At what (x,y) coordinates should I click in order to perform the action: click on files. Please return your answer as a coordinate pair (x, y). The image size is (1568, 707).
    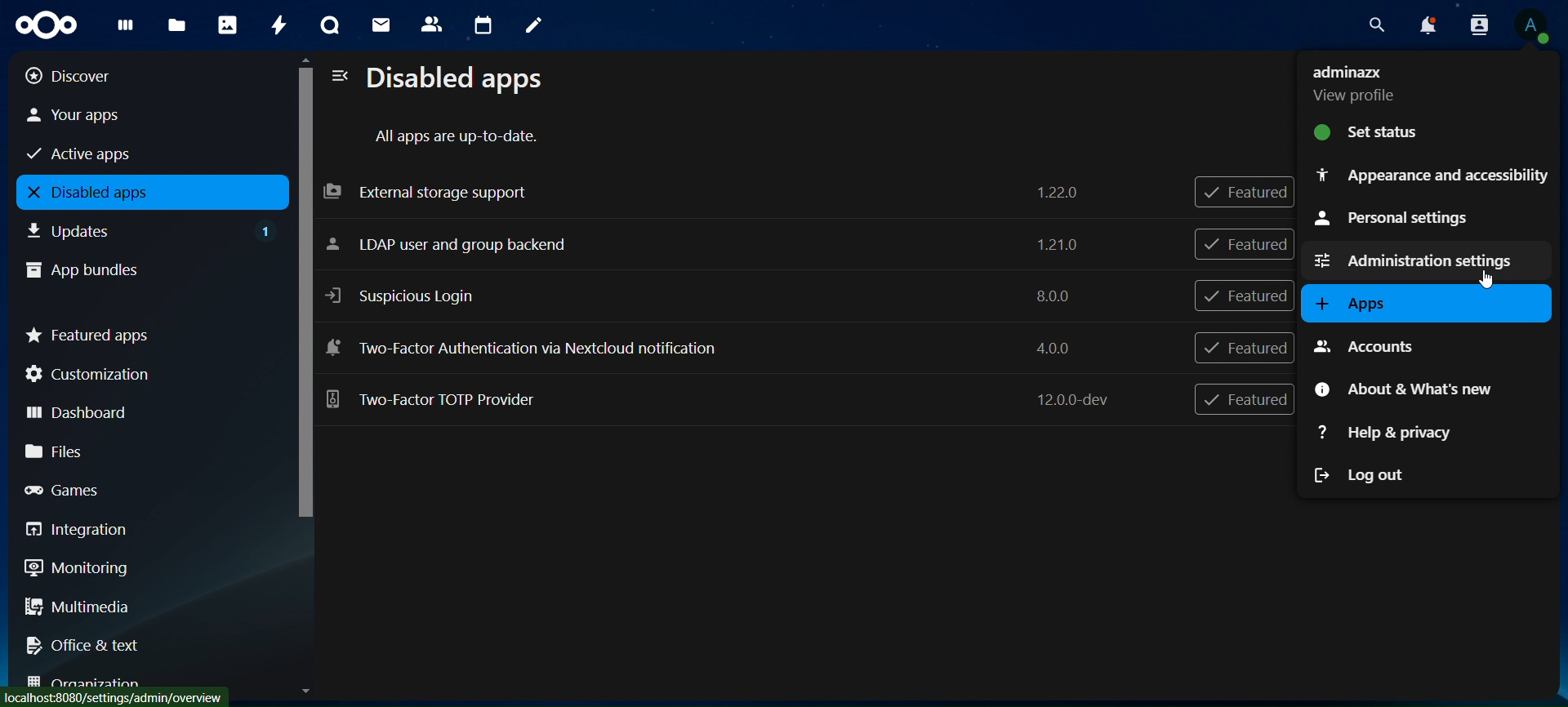
    Looking at the image, I should click on (143, 451).